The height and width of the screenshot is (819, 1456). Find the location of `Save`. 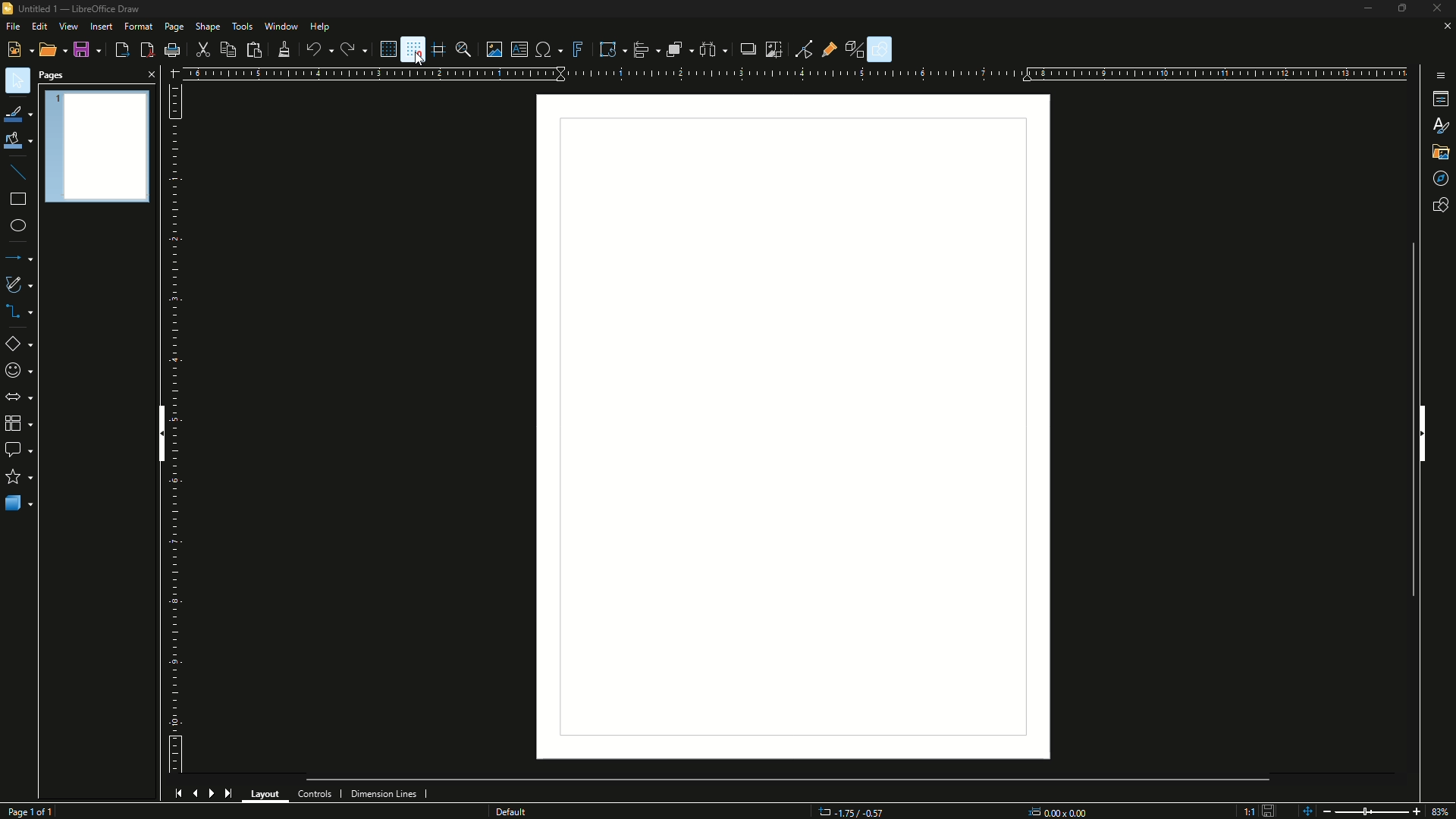

Save is located at coordinates (82, 49).